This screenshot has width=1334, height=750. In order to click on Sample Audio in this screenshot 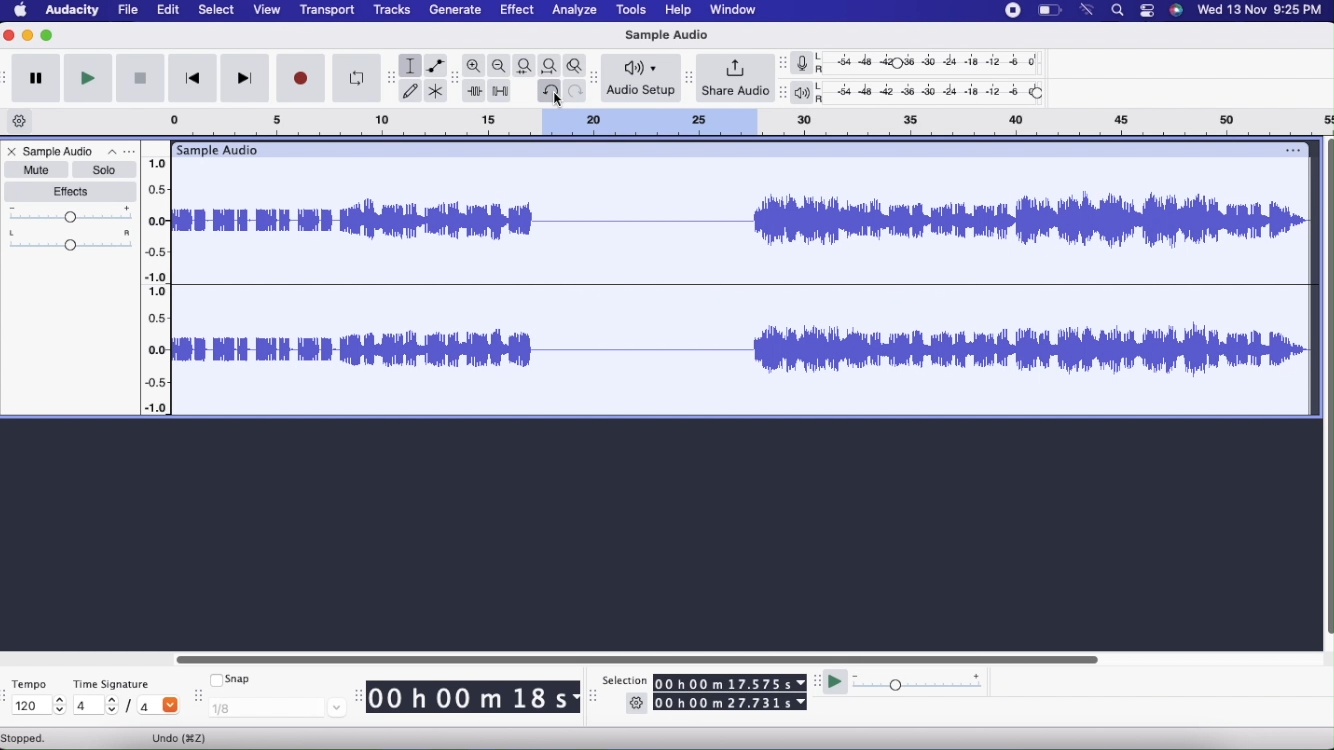, I will do `click(71, 151)`.